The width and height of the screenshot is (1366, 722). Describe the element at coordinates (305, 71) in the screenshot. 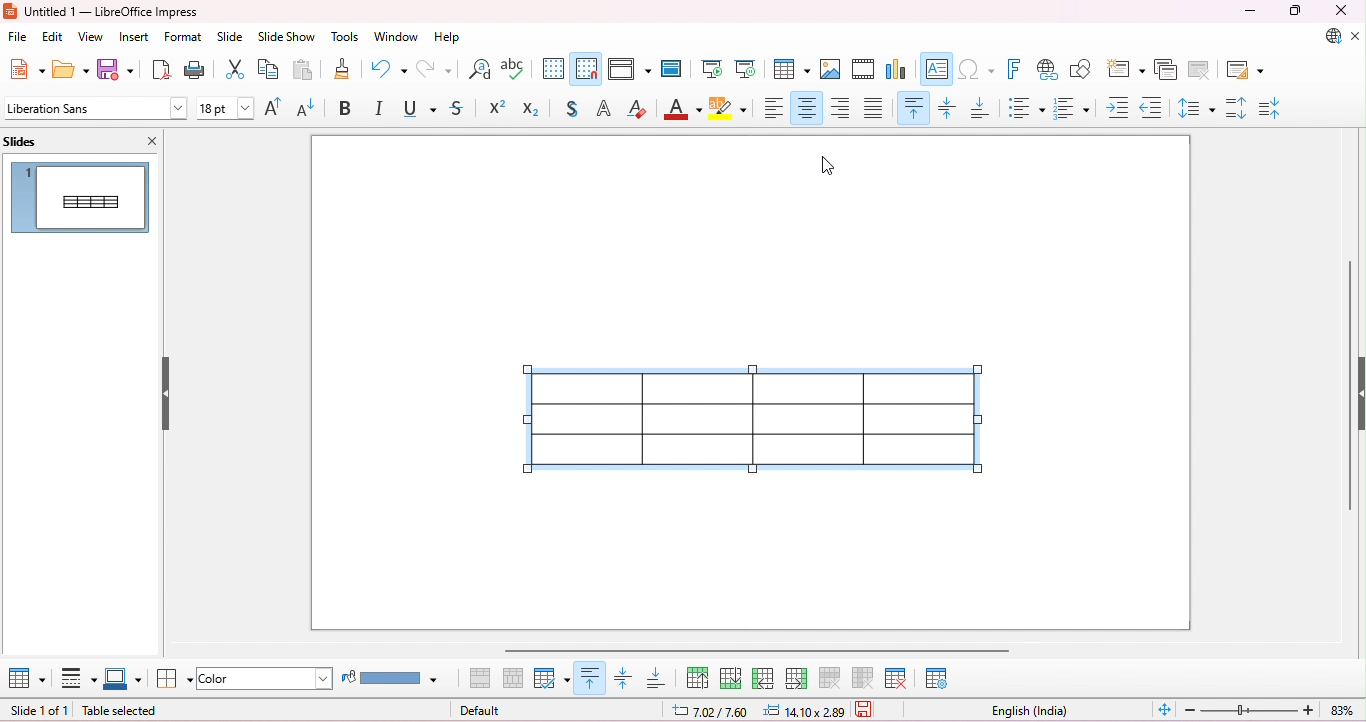

I see `paste` at that location.